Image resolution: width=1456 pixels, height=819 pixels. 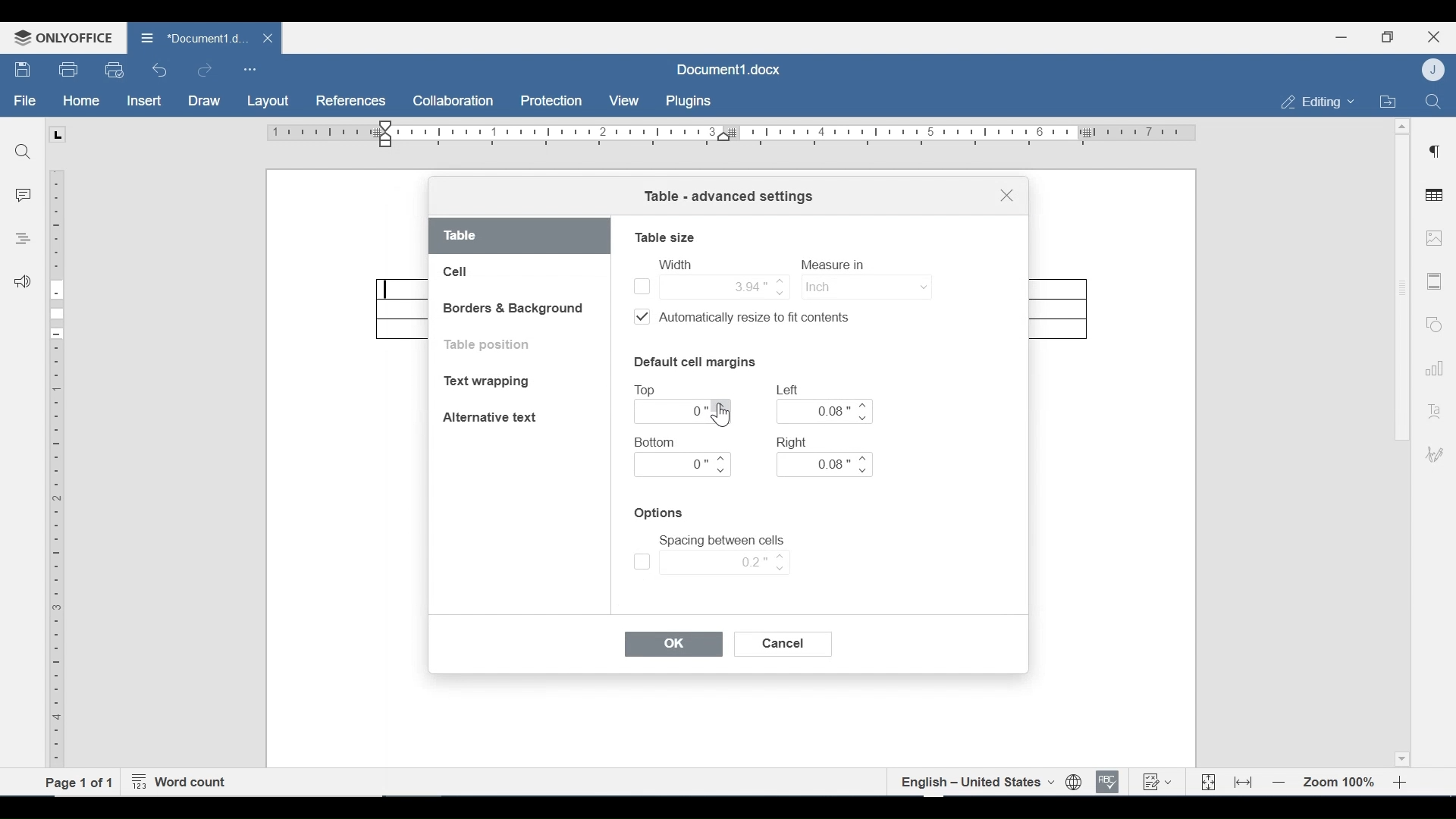 I want to click on Open Filelocation, so click(x=1387, y=100).